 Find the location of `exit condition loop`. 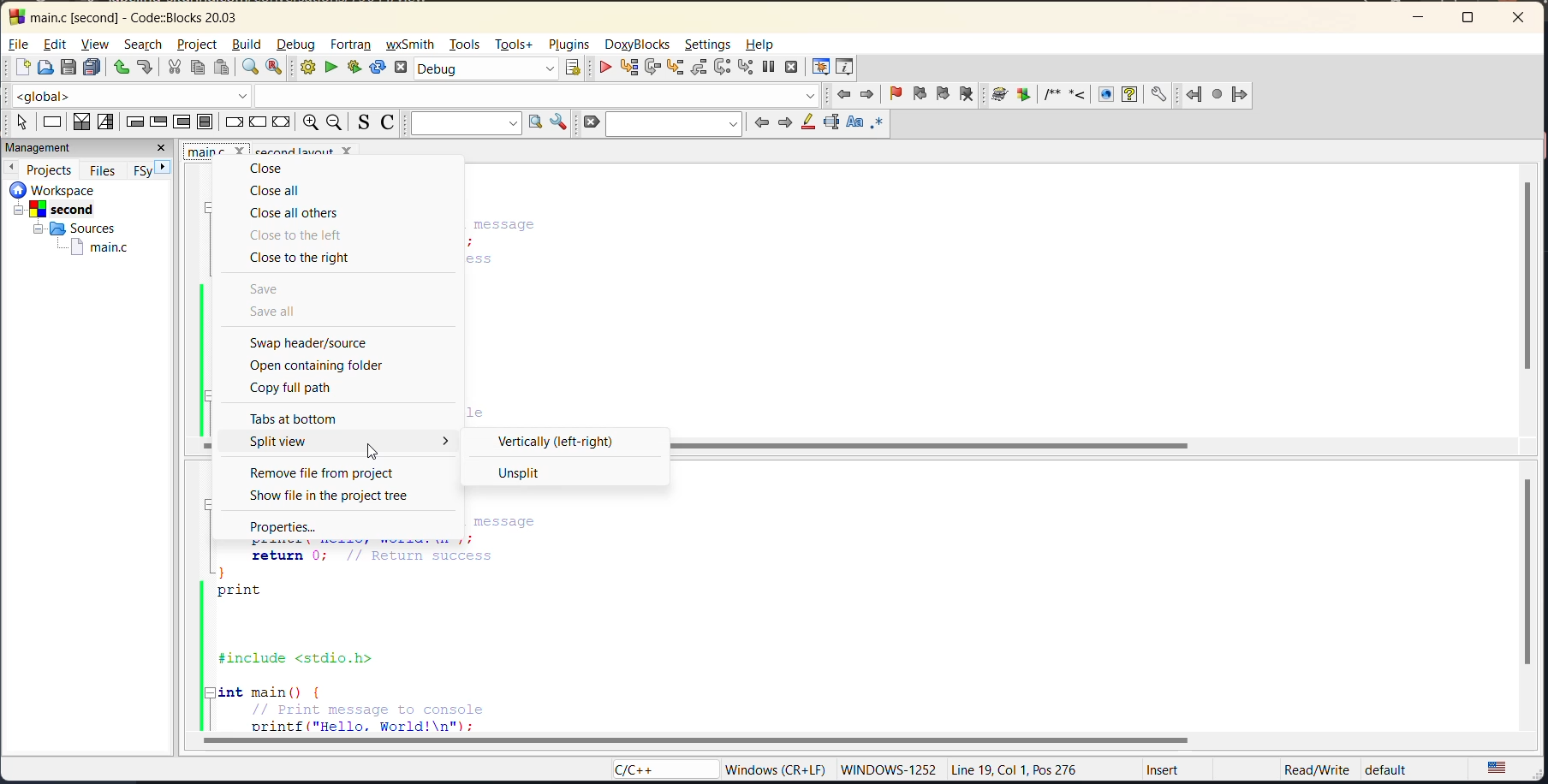

exit condition loop is located at coordinates (157, 122).